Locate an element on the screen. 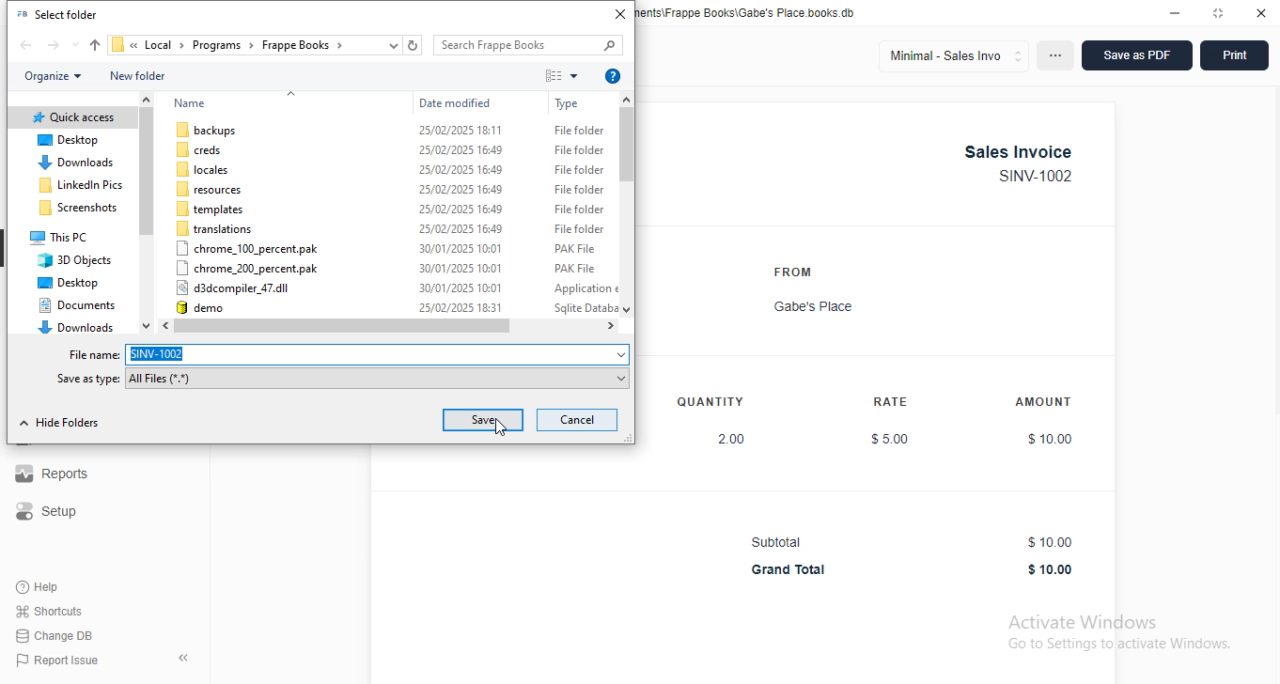 The image size is (1280, 684). go up is located at coordinates (291, 95).